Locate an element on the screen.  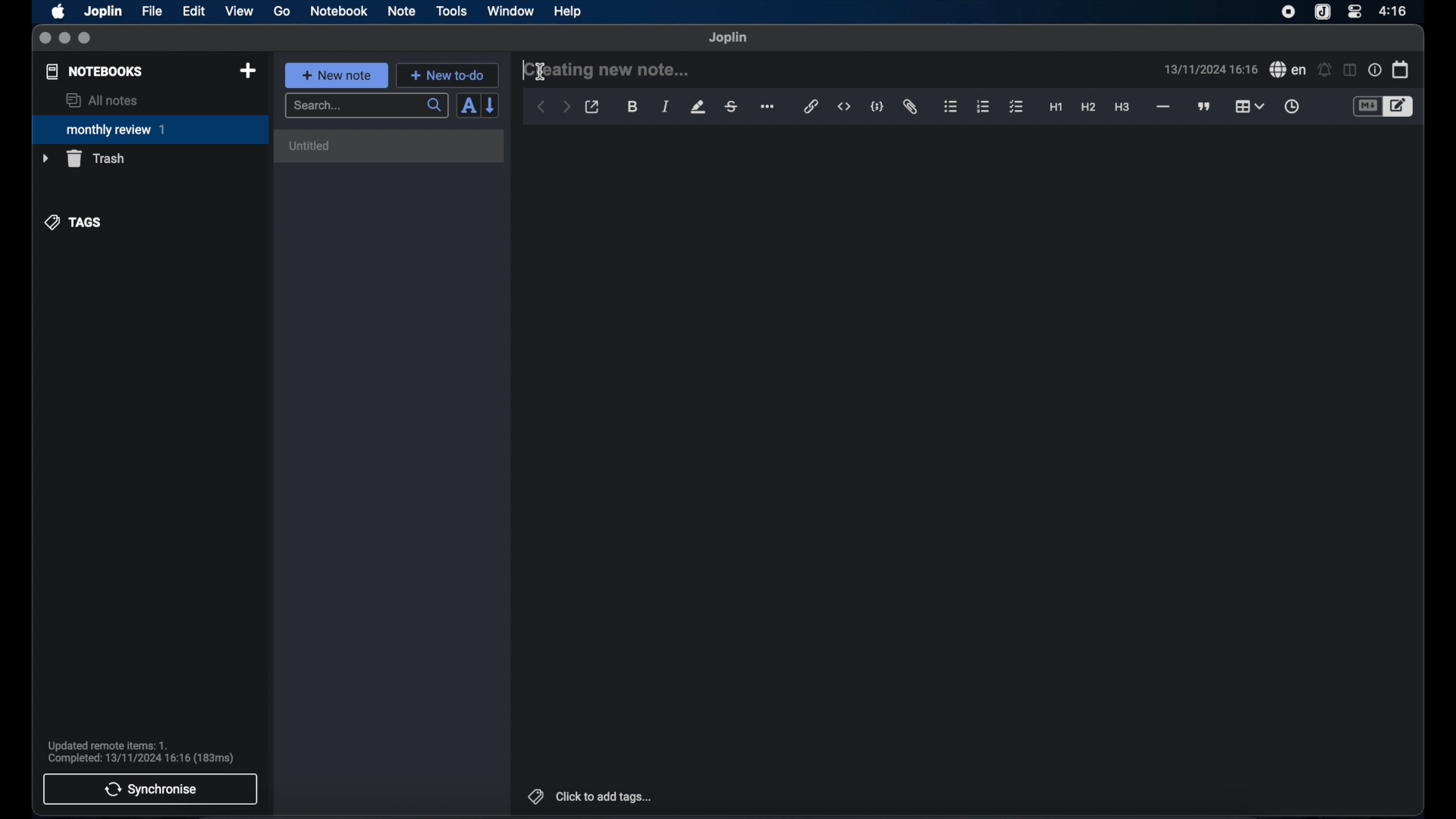
control center is located at coordinates (1354, 11).